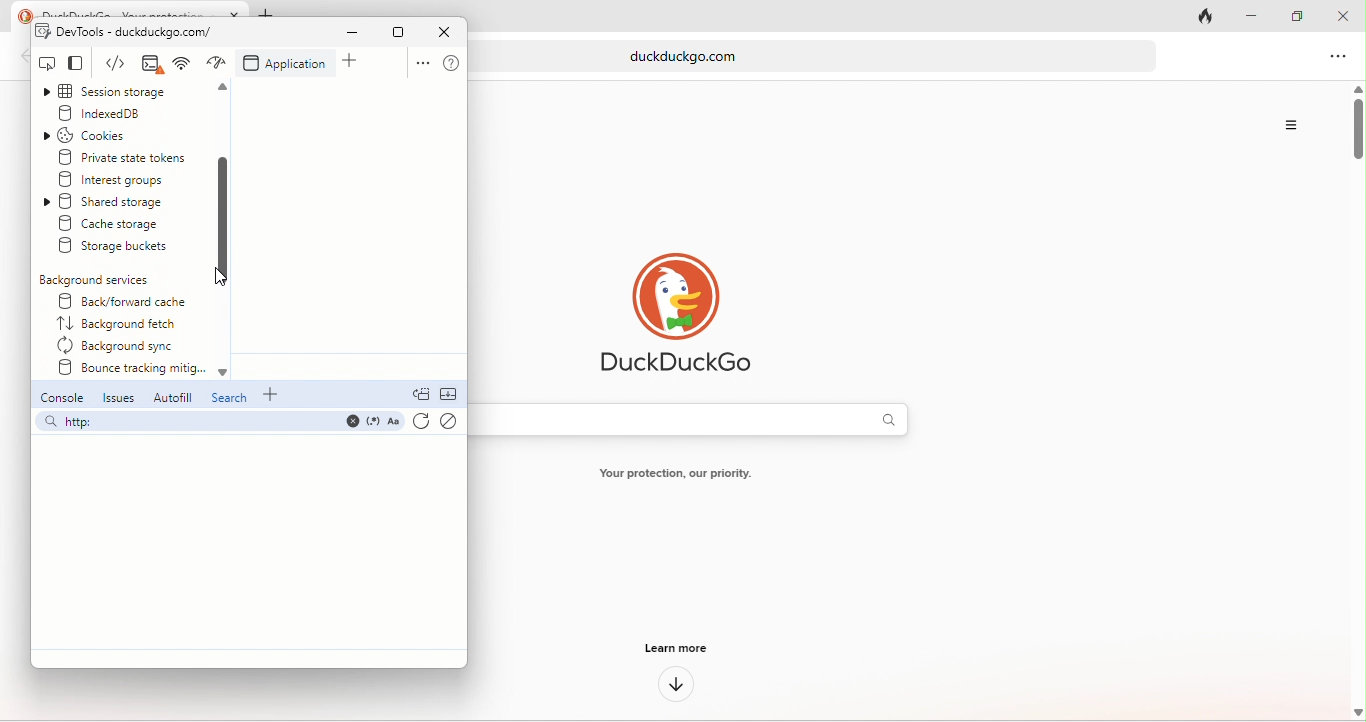 The image size is (1366, 722). What do you see at coordinates (170, 397) in the screenshot?
I see `autofill` at bounding box center [170, 397].